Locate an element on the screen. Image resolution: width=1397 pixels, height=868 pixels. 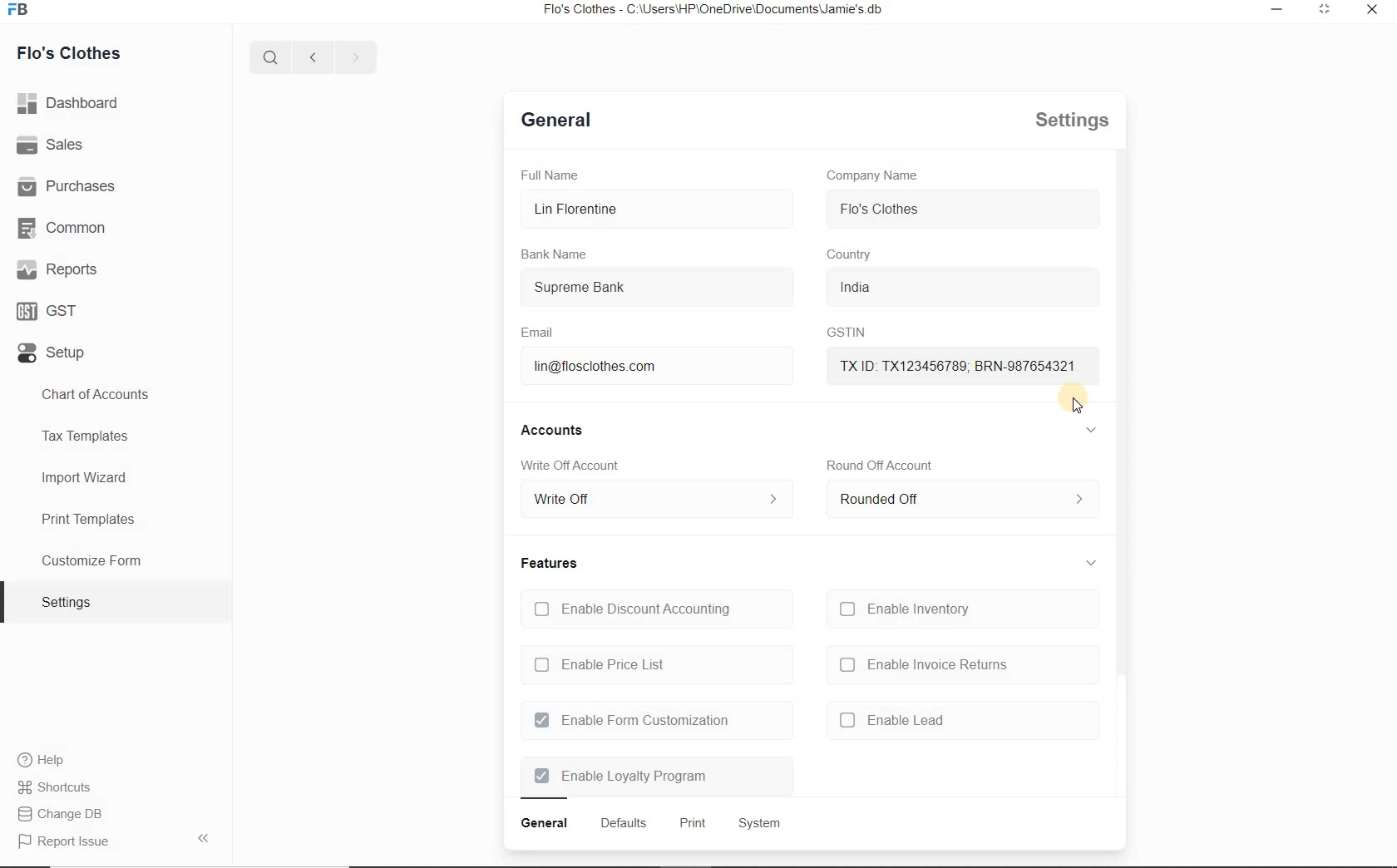
Bank Name is located at coordinates (556, 254).